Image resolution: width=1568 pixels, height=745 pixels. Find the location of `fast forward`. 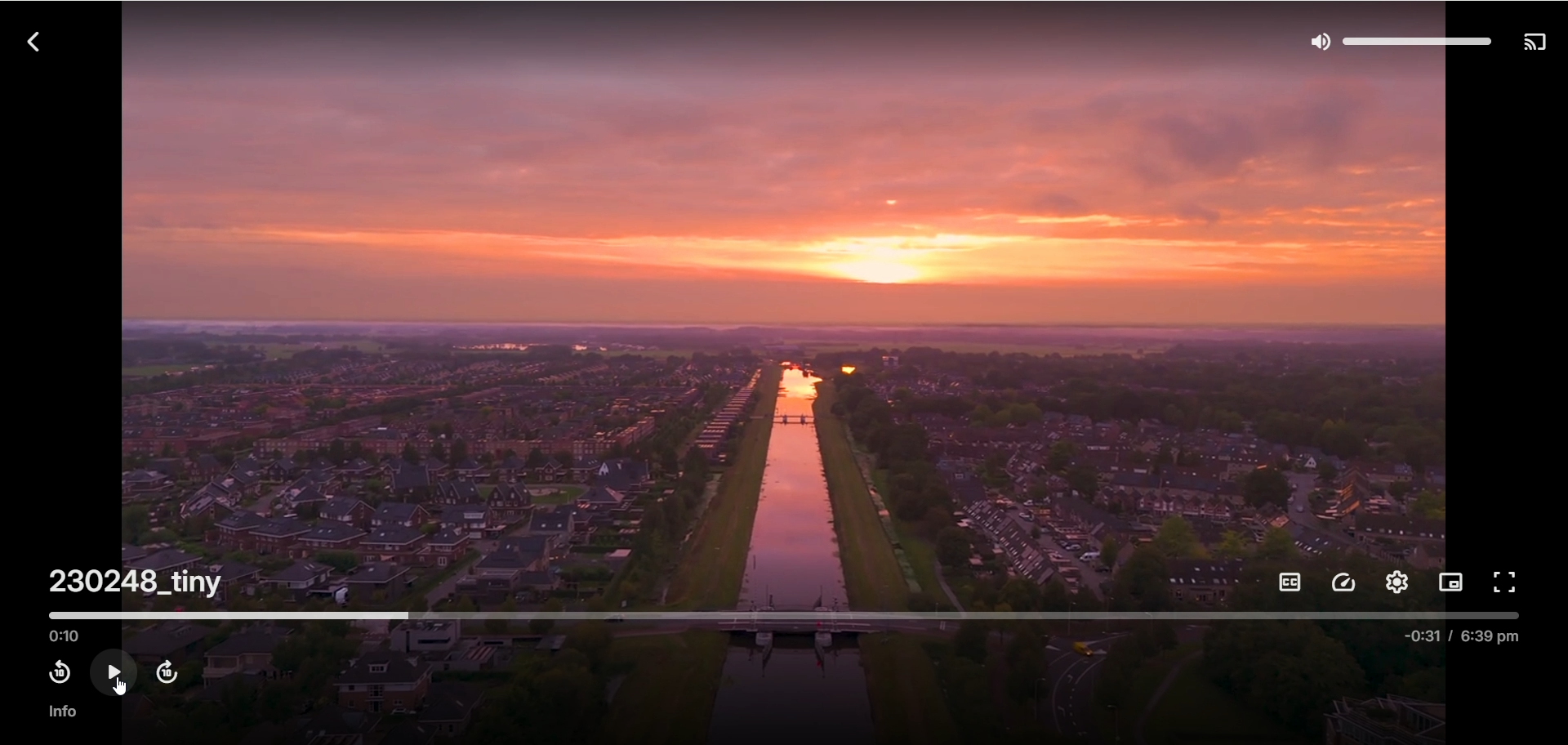

fast forward is located at coordinates (167, 672).